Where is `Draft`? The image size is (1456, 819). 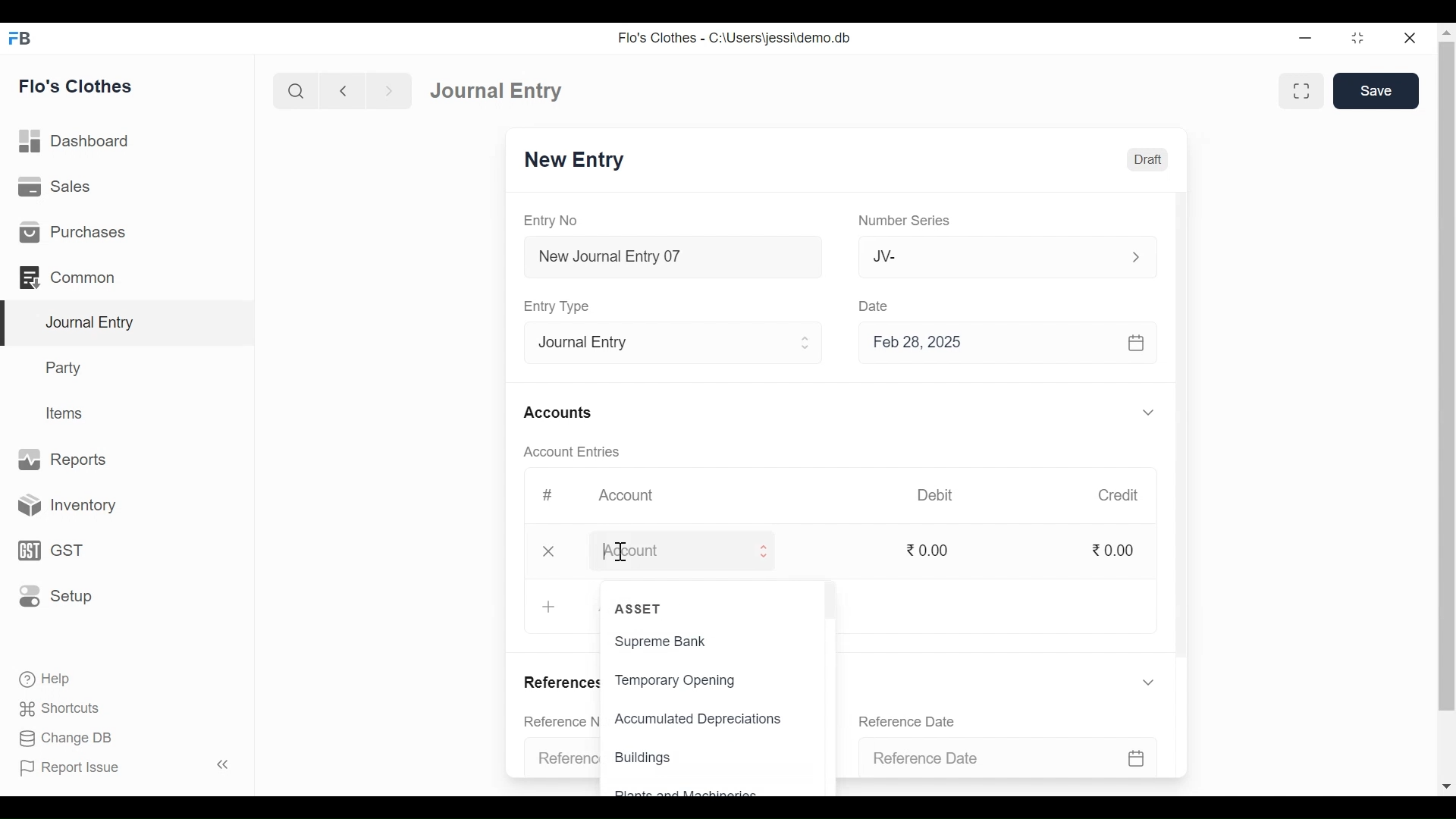
Draft is located at coordinates (1149, 160).